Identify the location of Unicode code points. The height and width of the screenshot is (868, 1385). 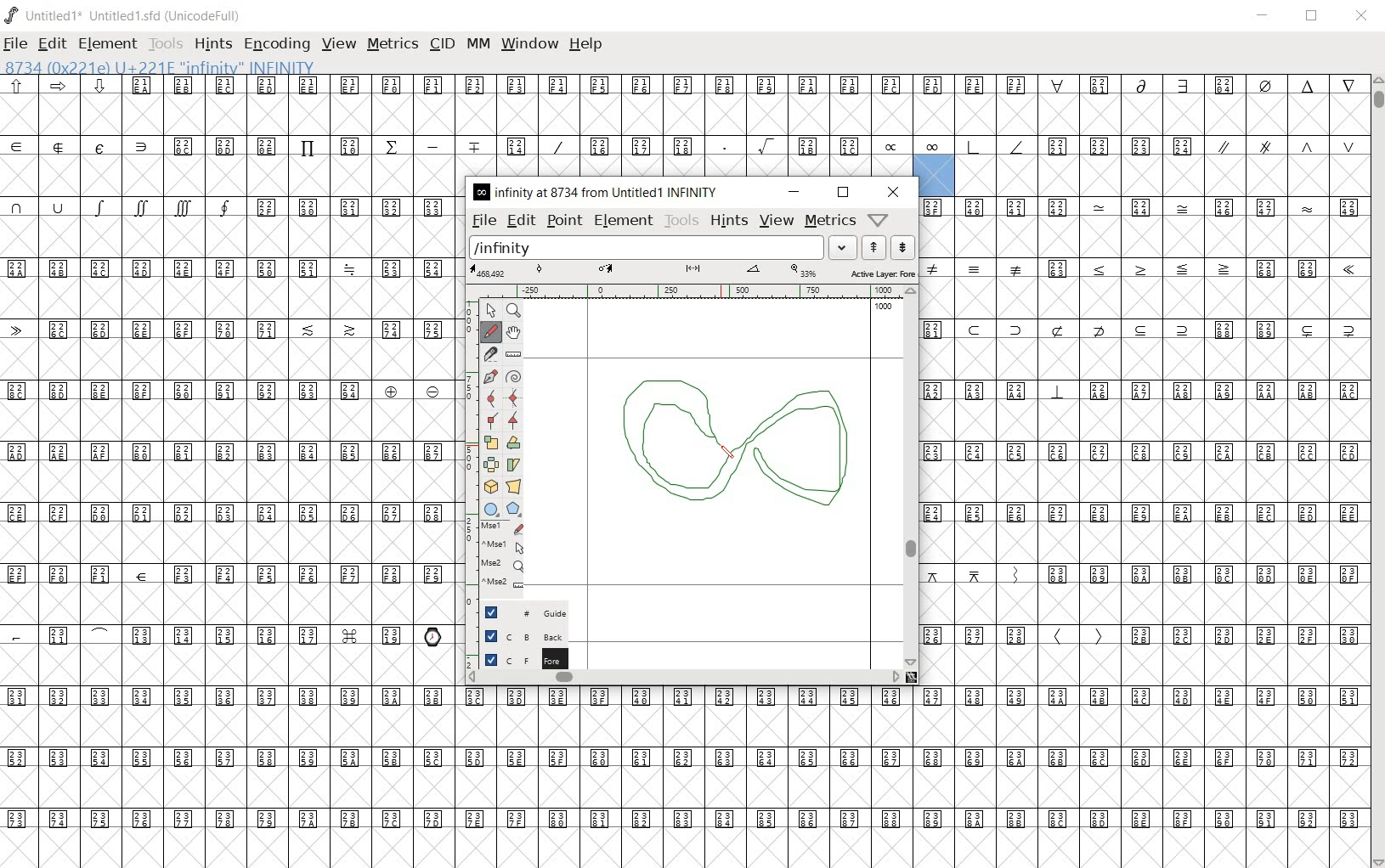
(212, 634).